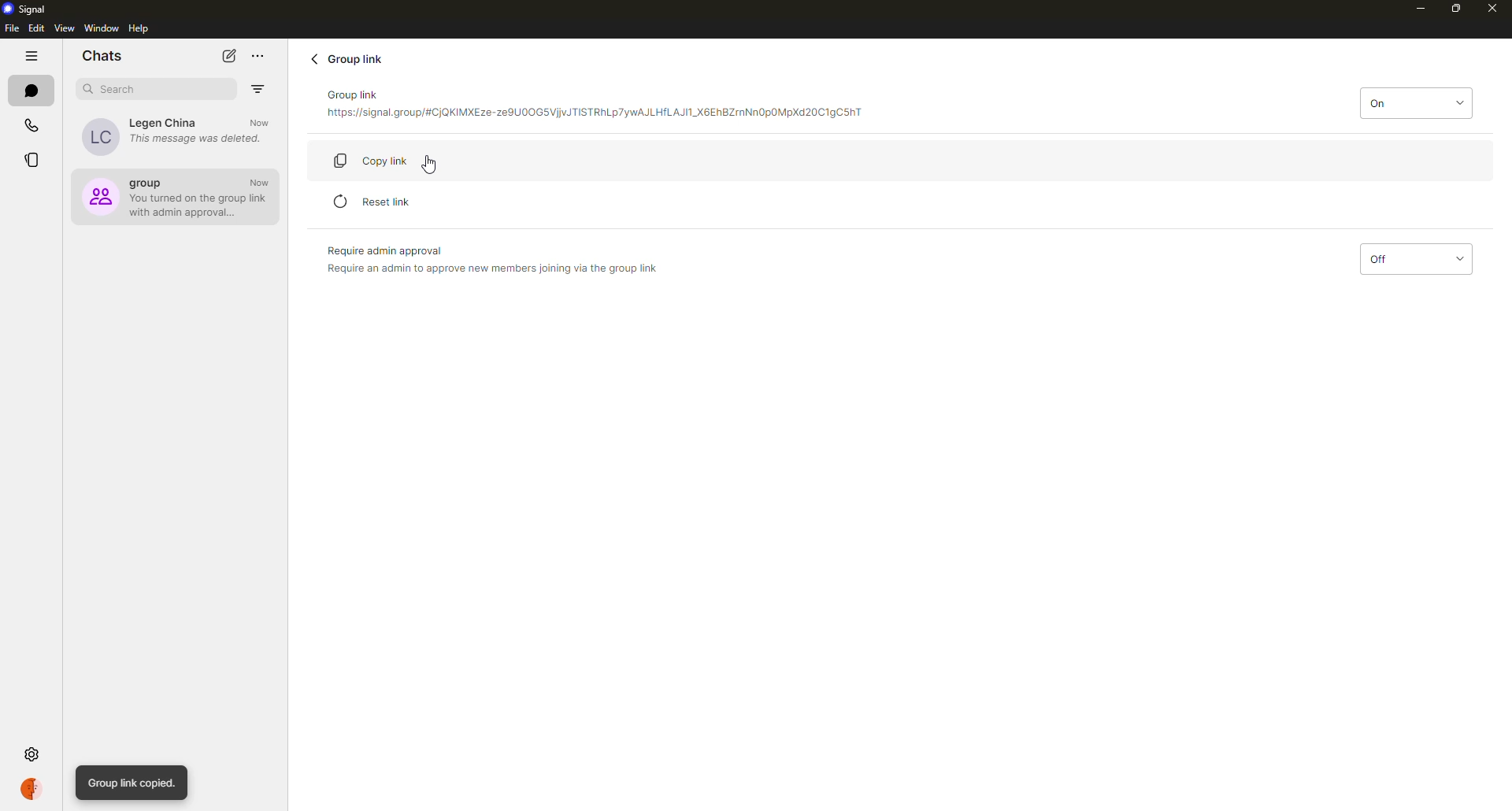  Describe the element at coordinates (350, 58) in the screenshot. I see `group link` at that location.